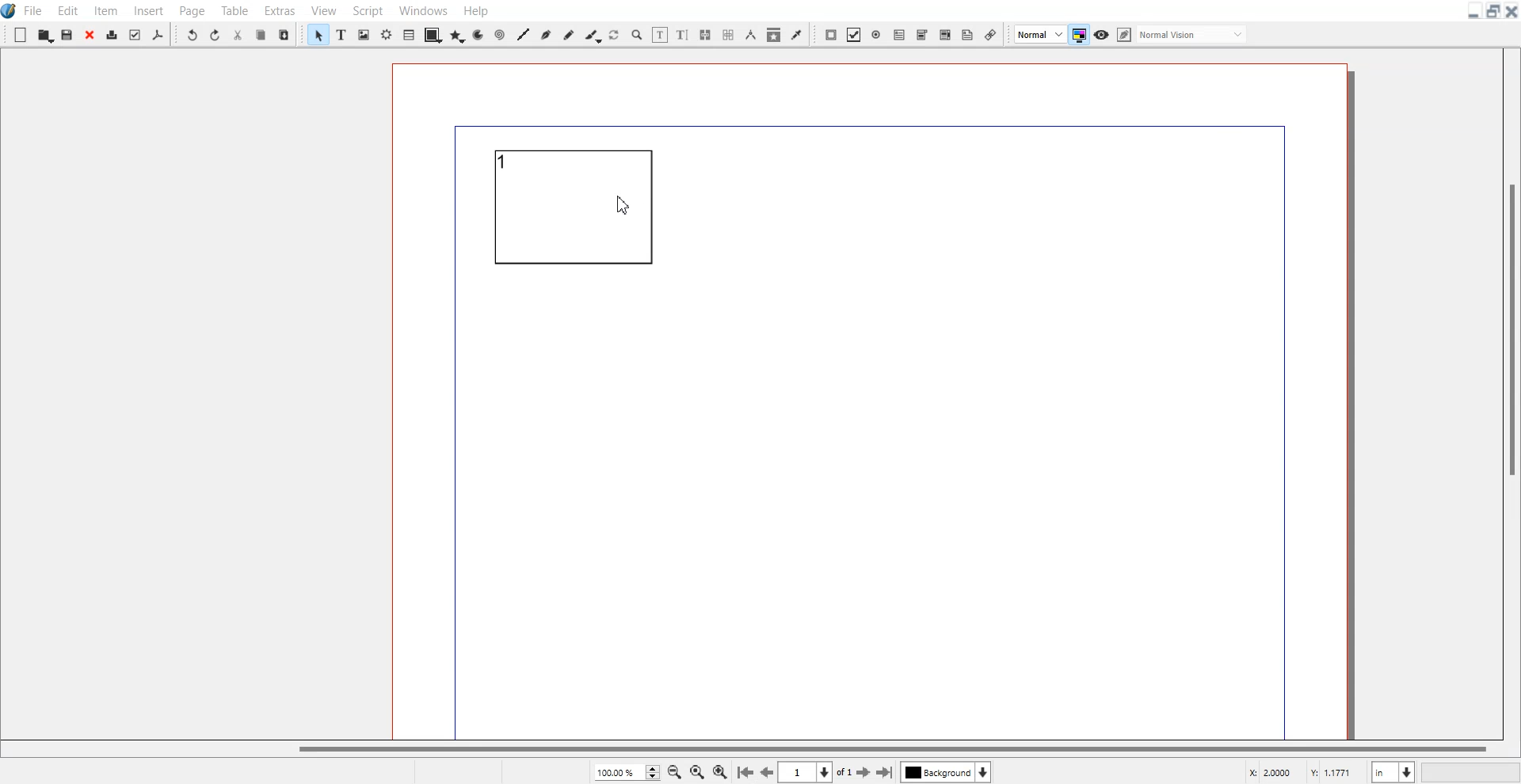 The width and height of the screenshot is (1521, 784). I want to click on Open, so click(45, 35).